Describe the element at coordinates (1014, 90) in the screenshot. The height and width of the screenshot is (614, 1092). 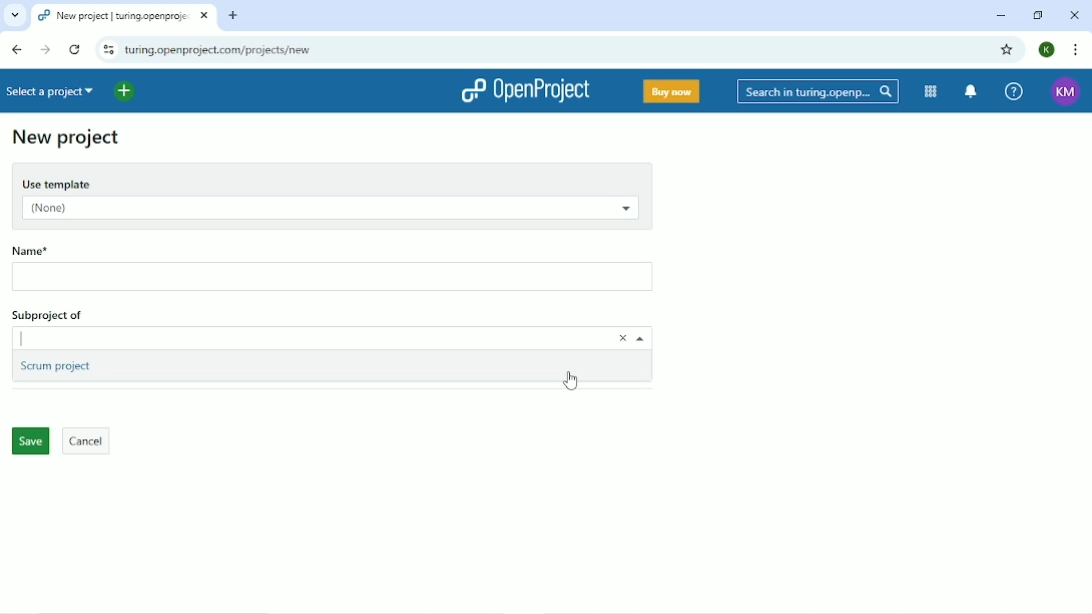
I see `Help` at that location.